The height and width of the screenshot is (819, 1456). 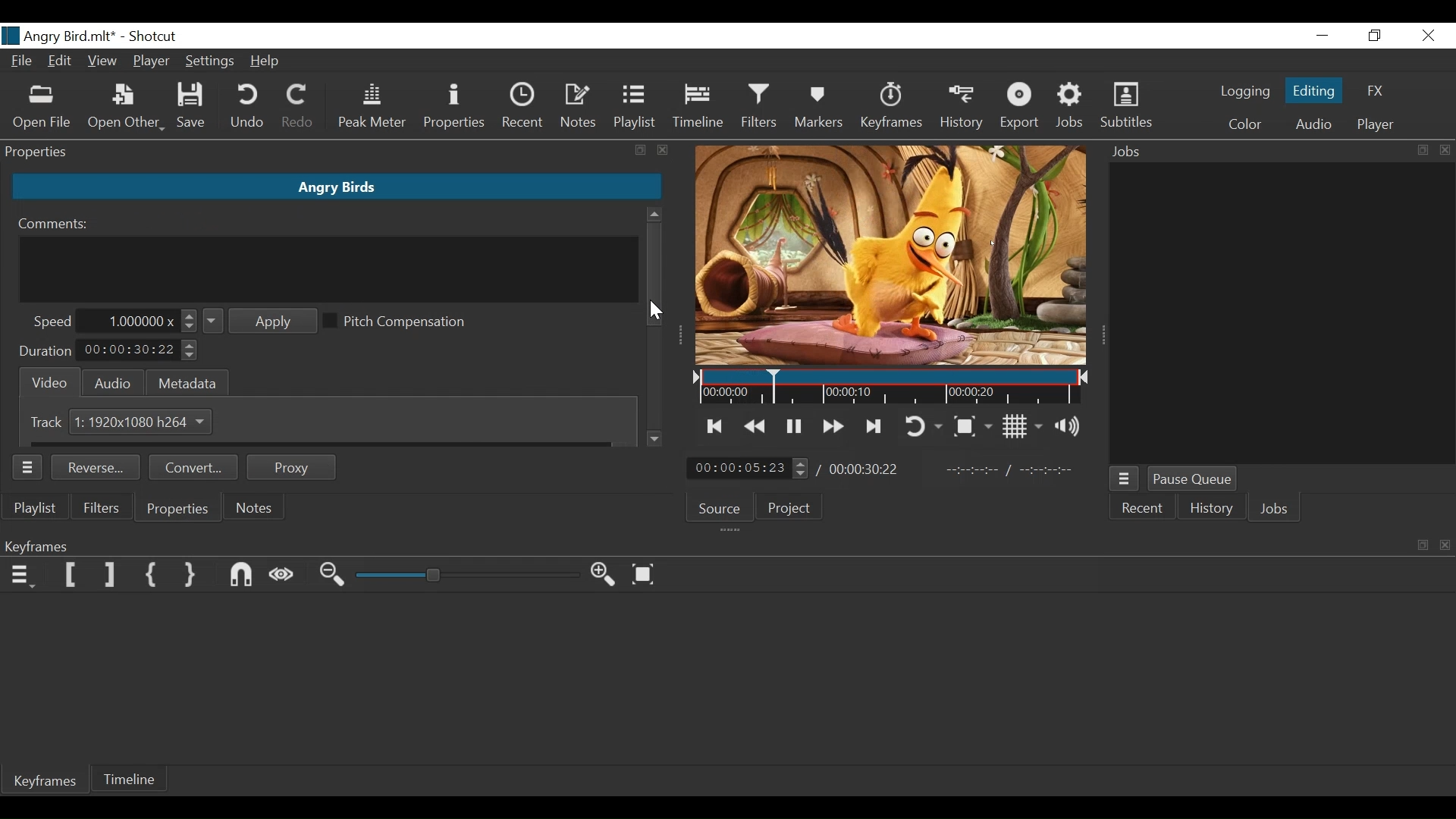 I want to click on Project, so click(x=792, y=510).